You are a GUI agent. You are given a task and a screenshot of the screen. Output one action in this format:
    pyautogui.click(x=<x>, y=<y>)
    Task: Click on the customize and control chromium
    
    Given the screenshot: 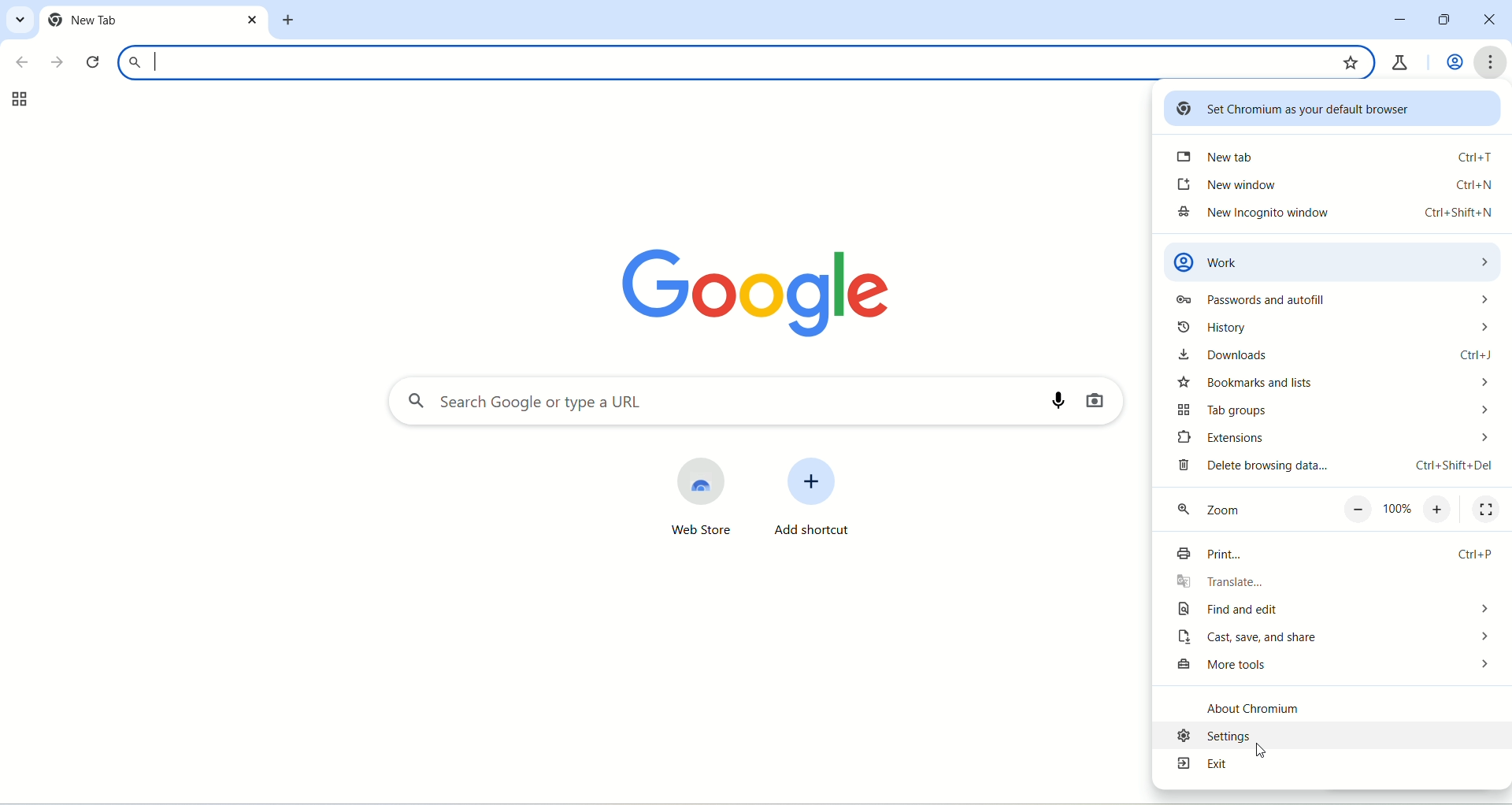 What is the action you would take?
    pyautogui.click(x=1492, y=61)
    